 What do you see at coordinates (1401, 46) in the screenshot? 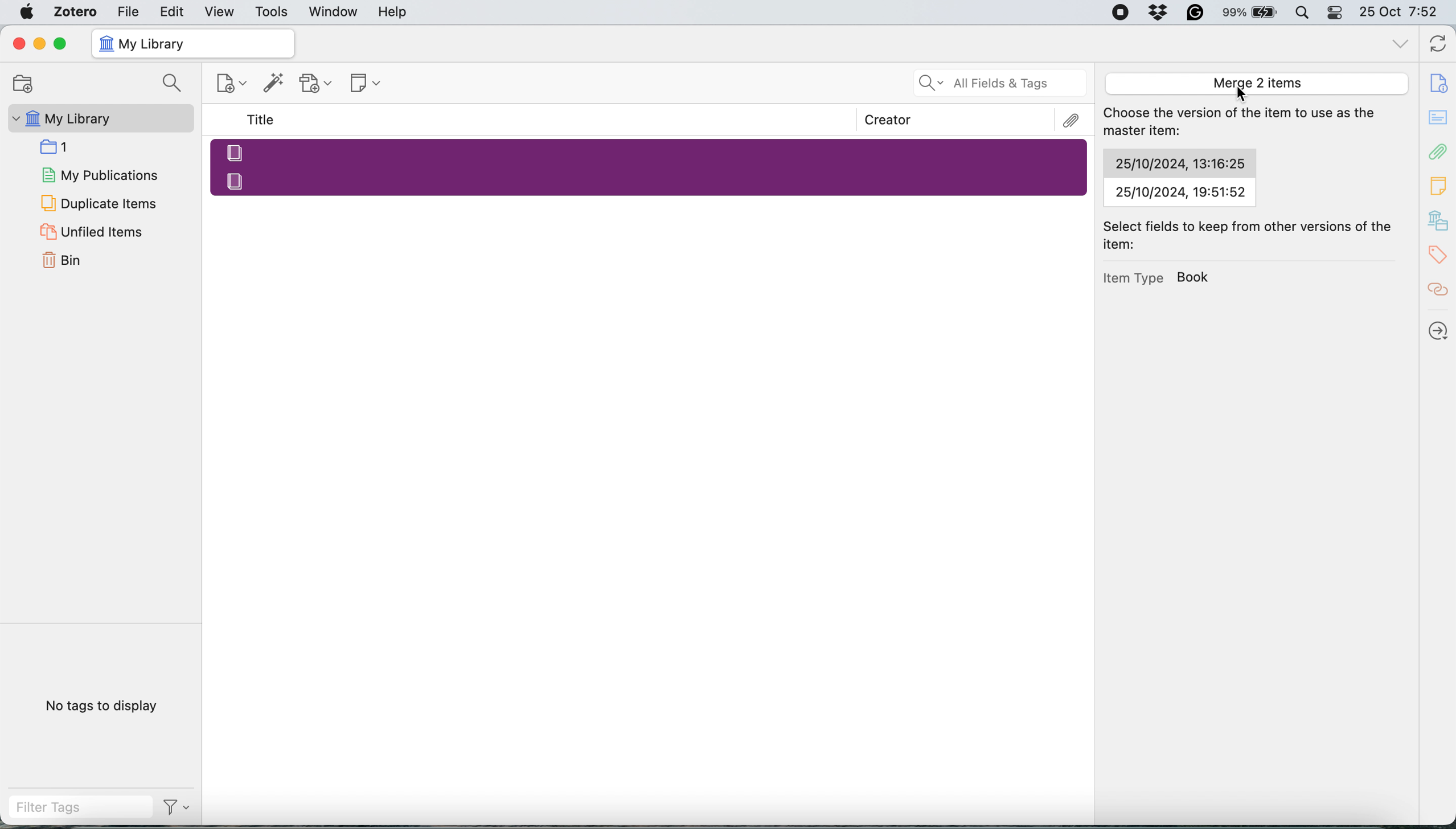
I see `list all tabs` at bounding box center [1401, 46].